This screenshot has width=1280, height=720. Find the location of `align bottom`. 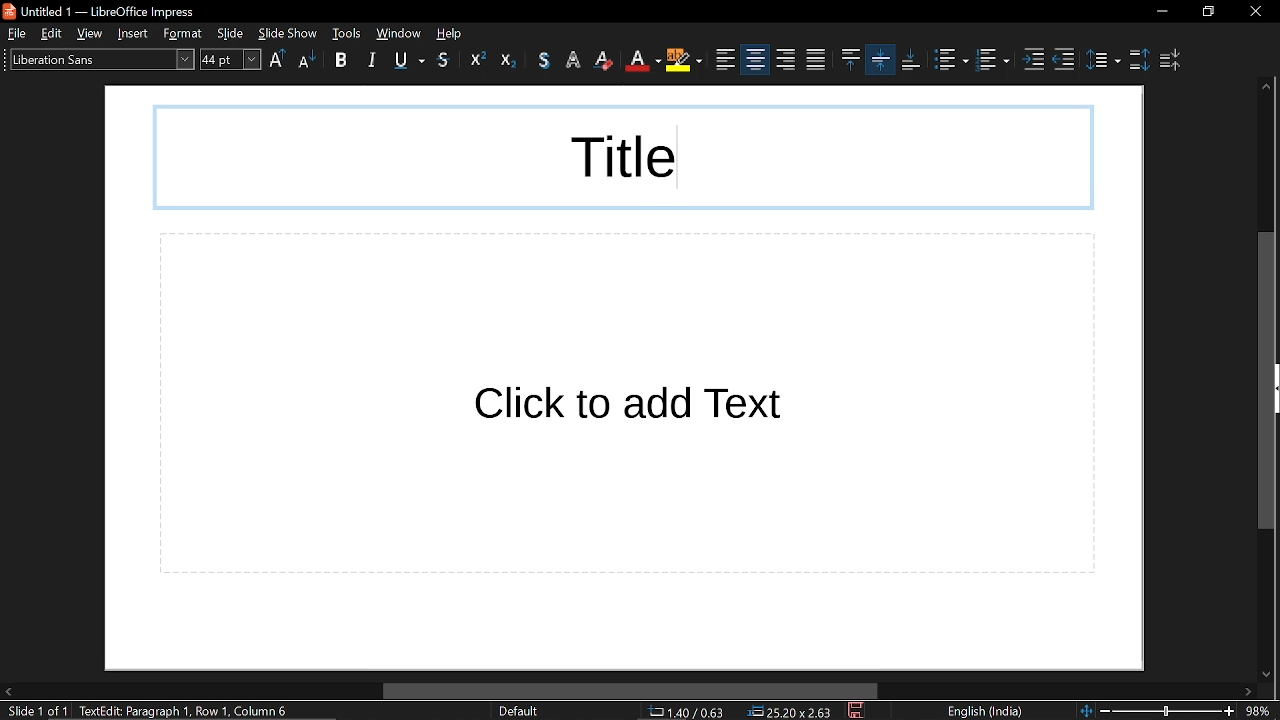

align bottom is located at coordinates (881, 59).